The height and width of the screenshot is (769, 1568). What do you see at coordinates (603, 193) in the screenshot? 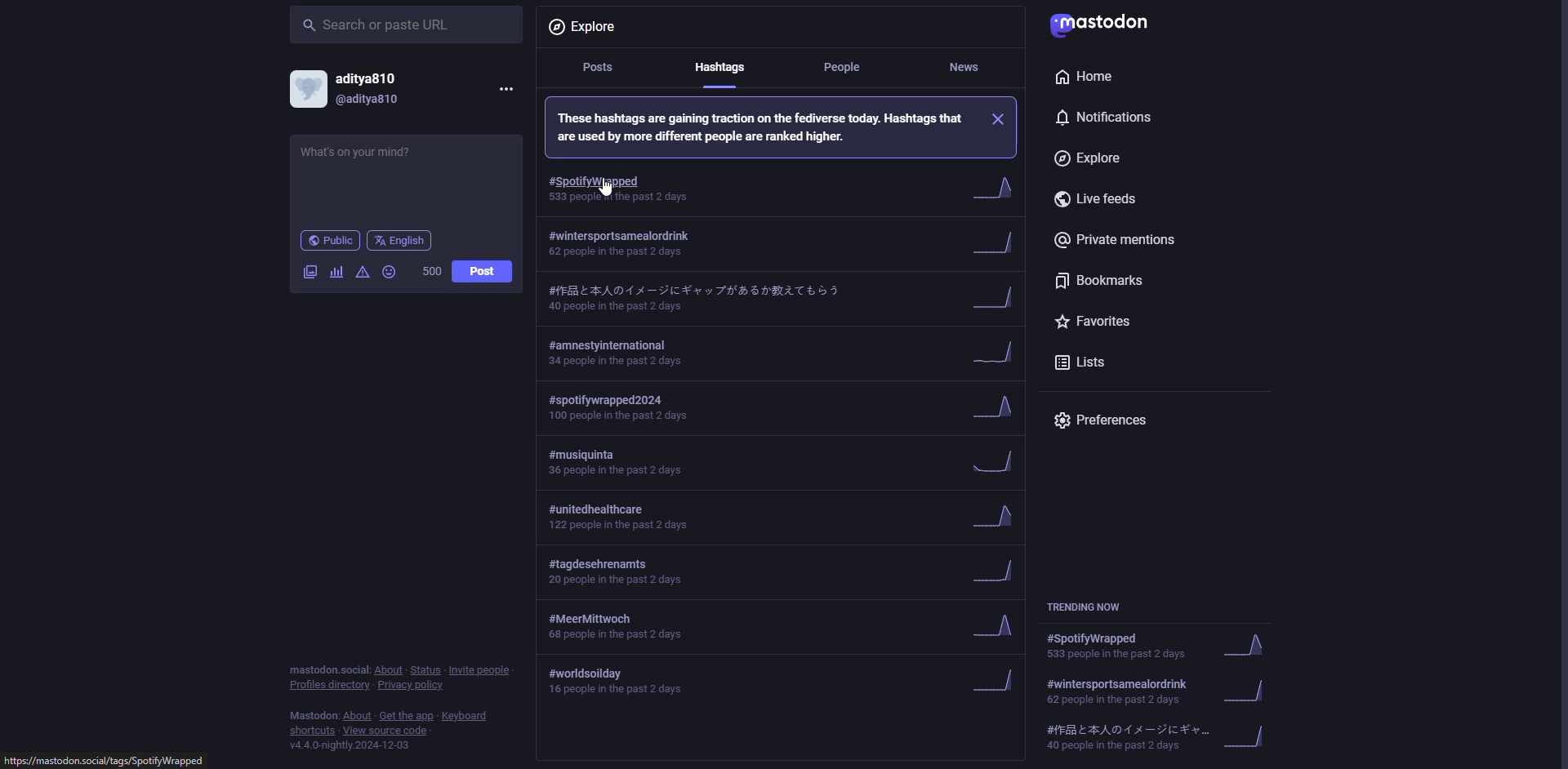
I see `cursor` at bounding box center [603, 193].